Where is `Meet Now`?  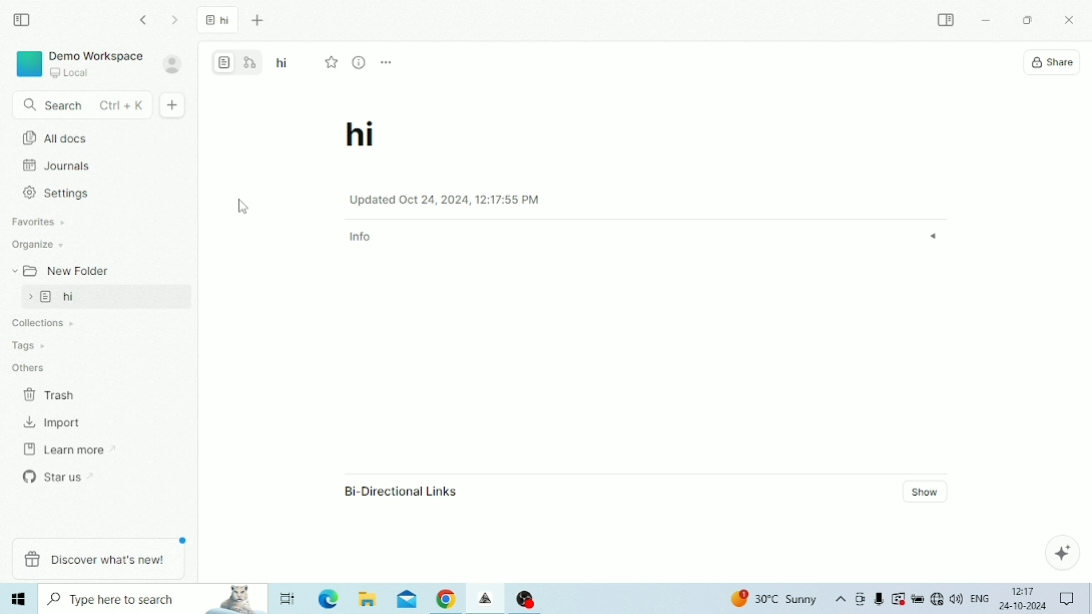 Meet Now is located at coordinates (860, 599).